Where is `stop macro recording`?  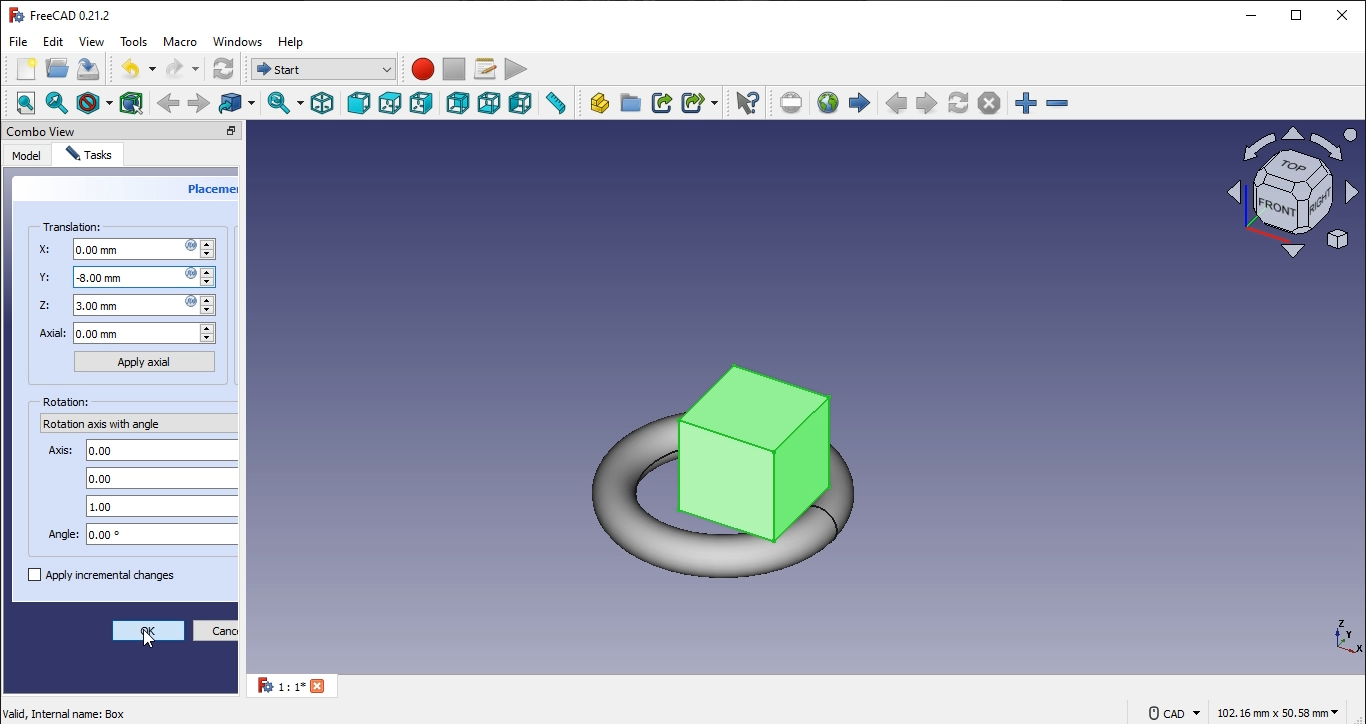 stop macro recording is located at coordinates (453, 70).